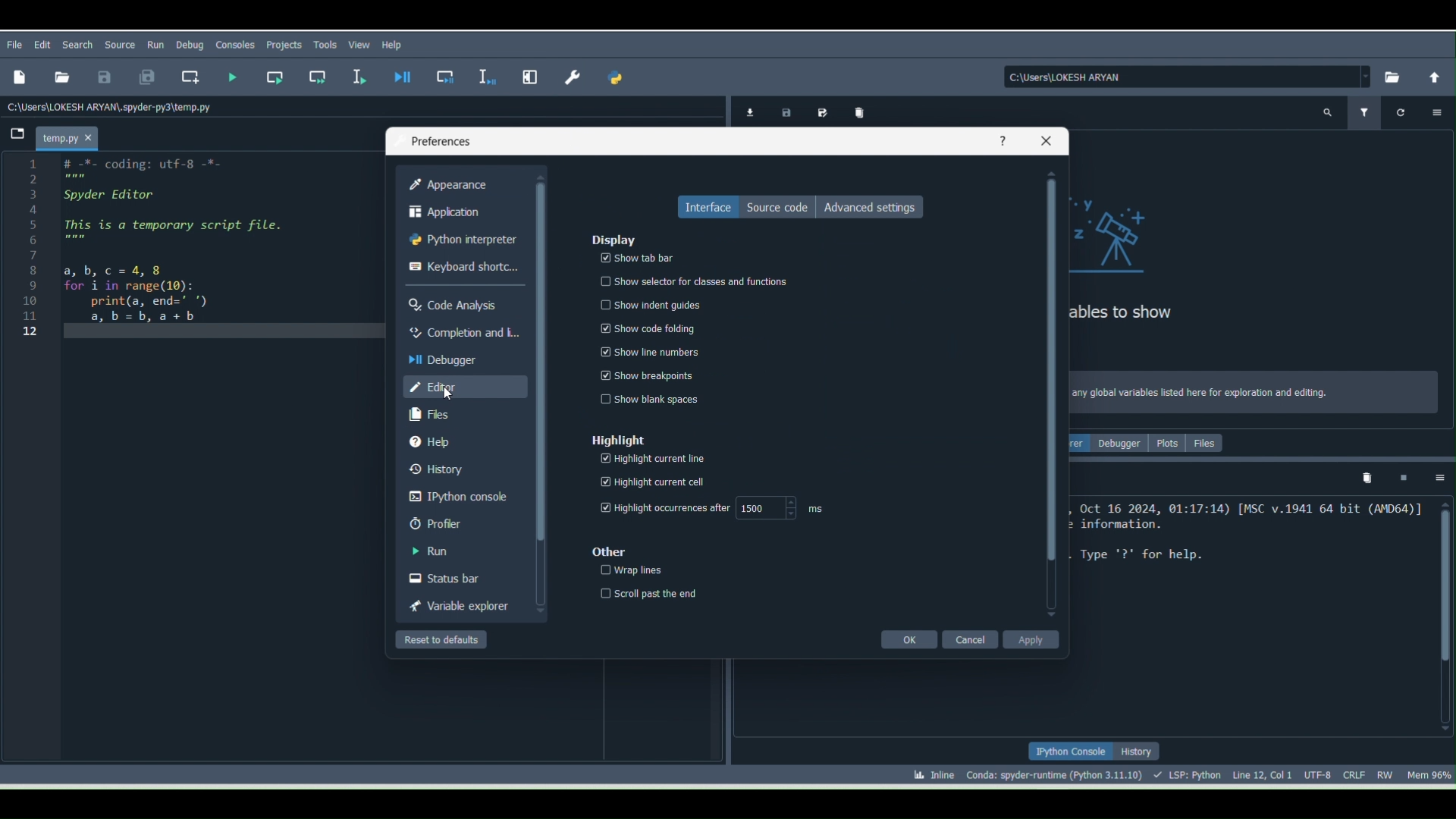 The height and width of the screenshot is (819, 1456). Describe the element at coordinates (1189, 773) in the screenshot. I see `Completions, linting, code folding and symbols status` at that location.